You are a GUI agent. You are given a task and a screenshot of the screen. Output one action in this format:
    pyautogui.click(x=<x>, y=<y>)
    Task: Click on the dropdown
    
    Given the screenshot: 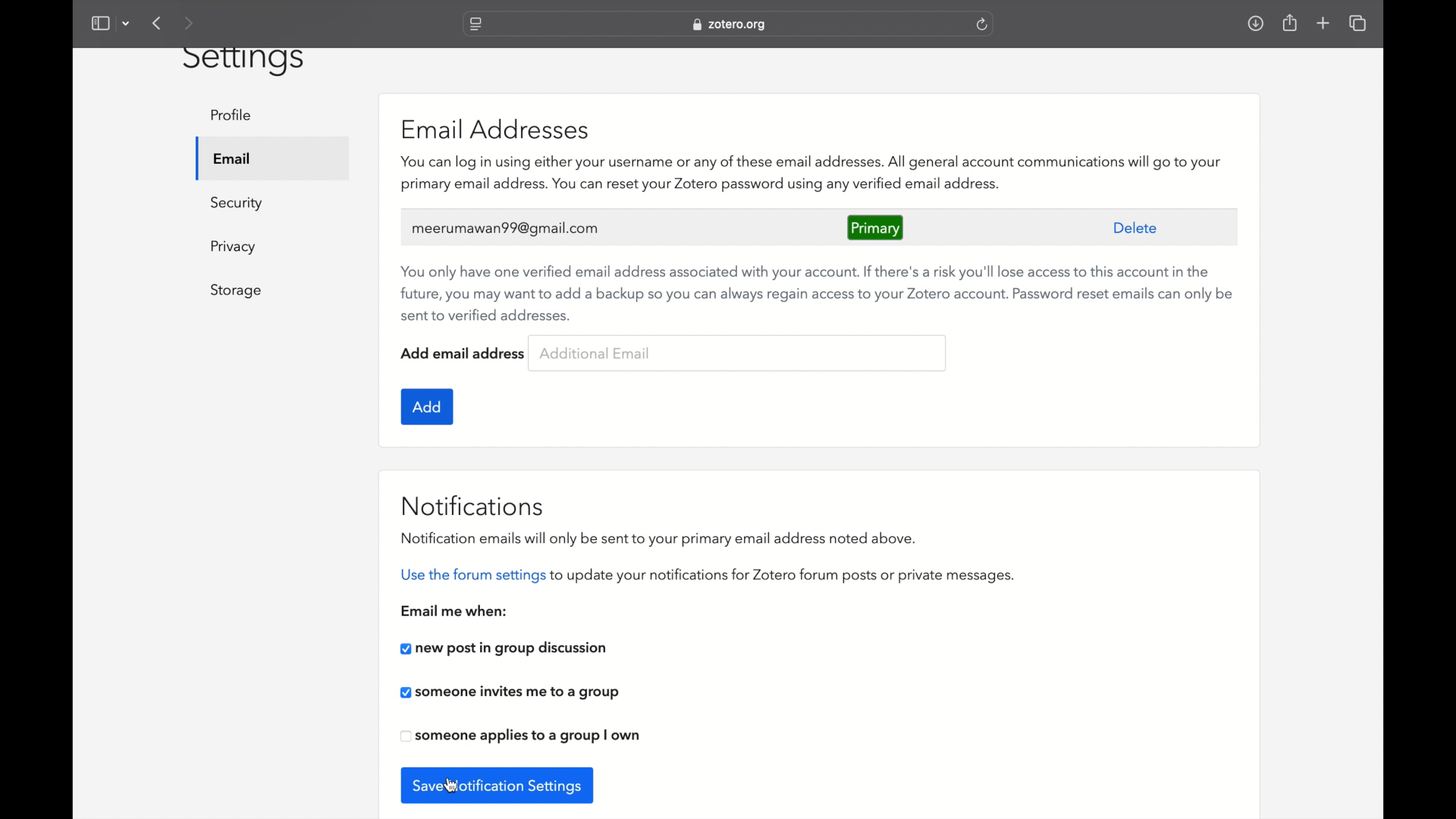 What is the action you would take?
    pyautogui.click(x=126, y=25)
    